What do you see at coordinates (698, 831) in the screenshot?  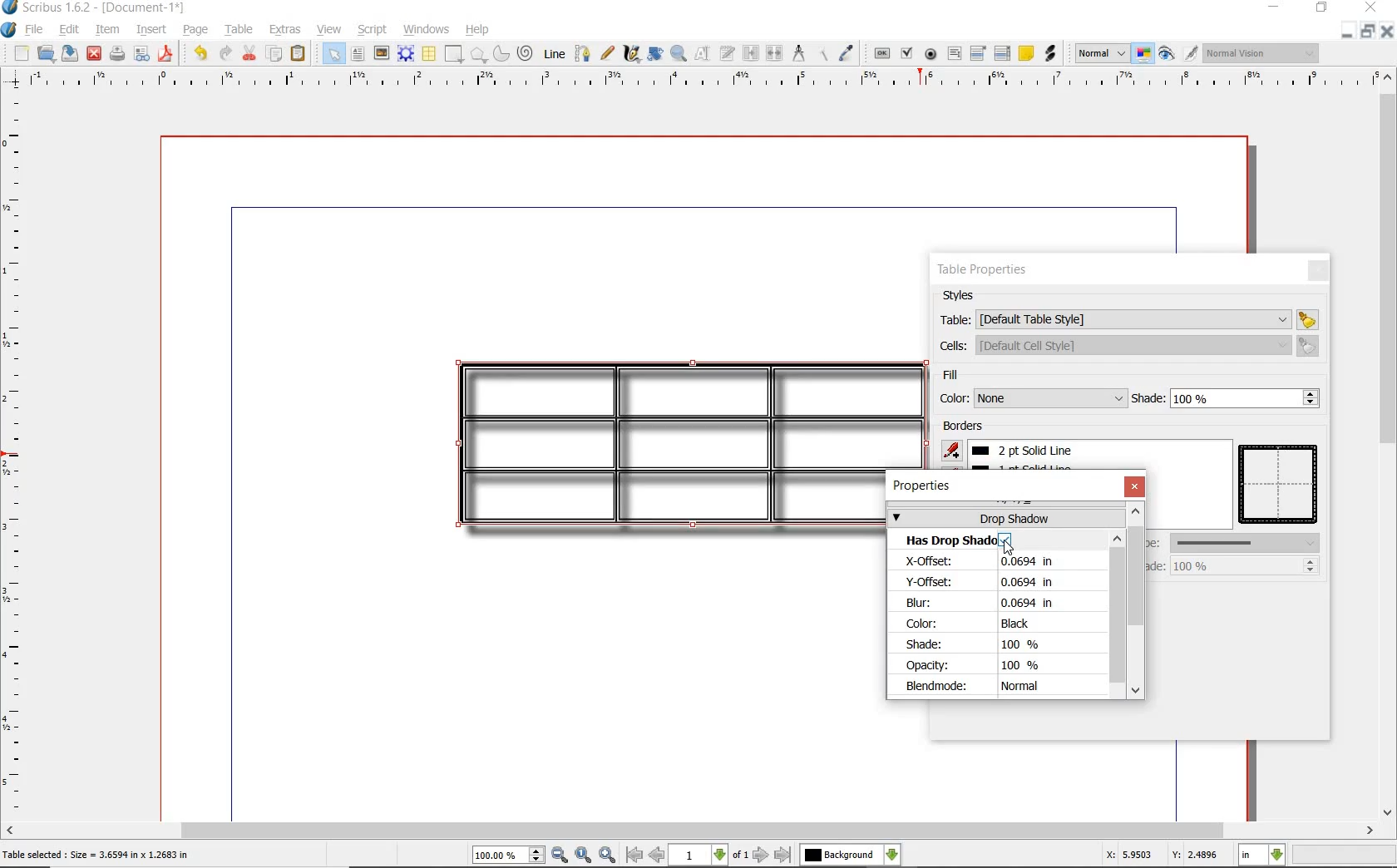 I see `scrollbar` at bounding box center [698, 831].